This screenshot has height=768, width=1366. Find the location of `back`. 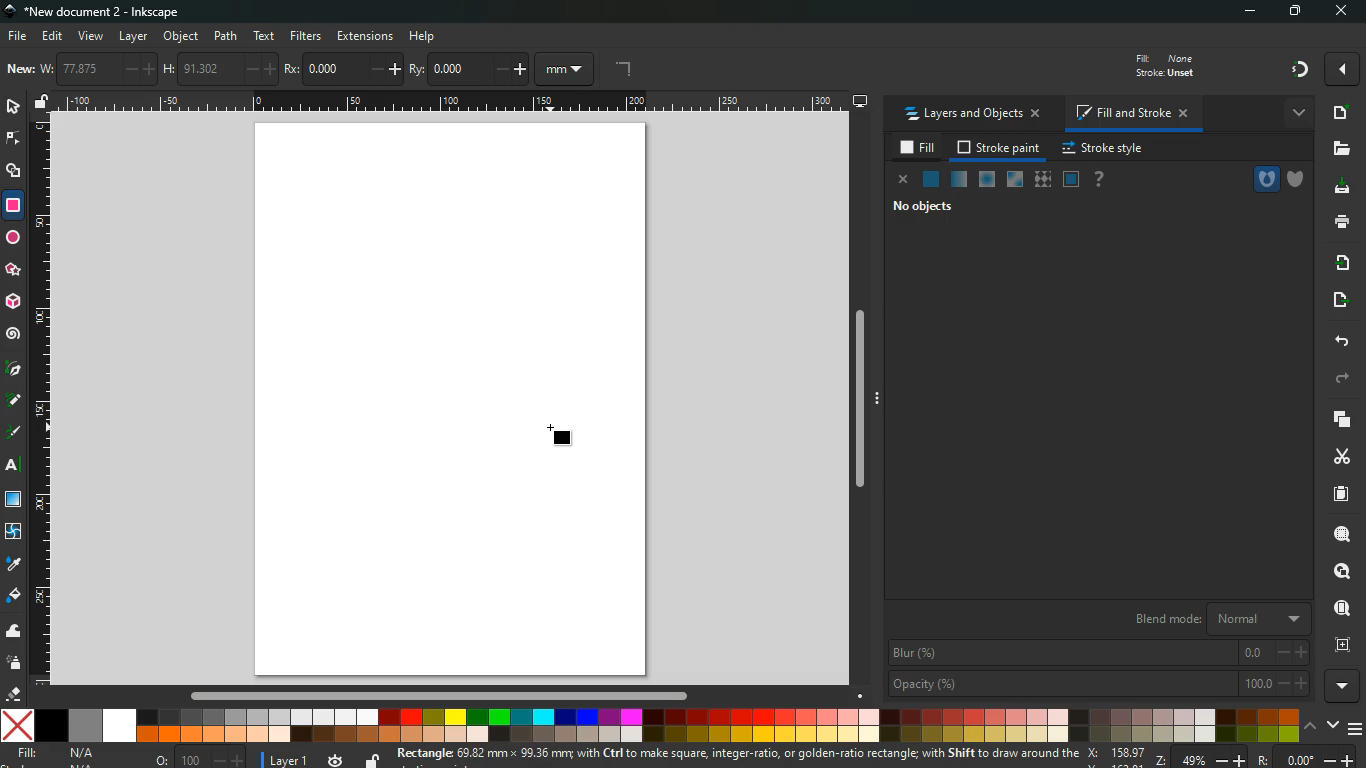

back is located at coordinates (1342, 341).